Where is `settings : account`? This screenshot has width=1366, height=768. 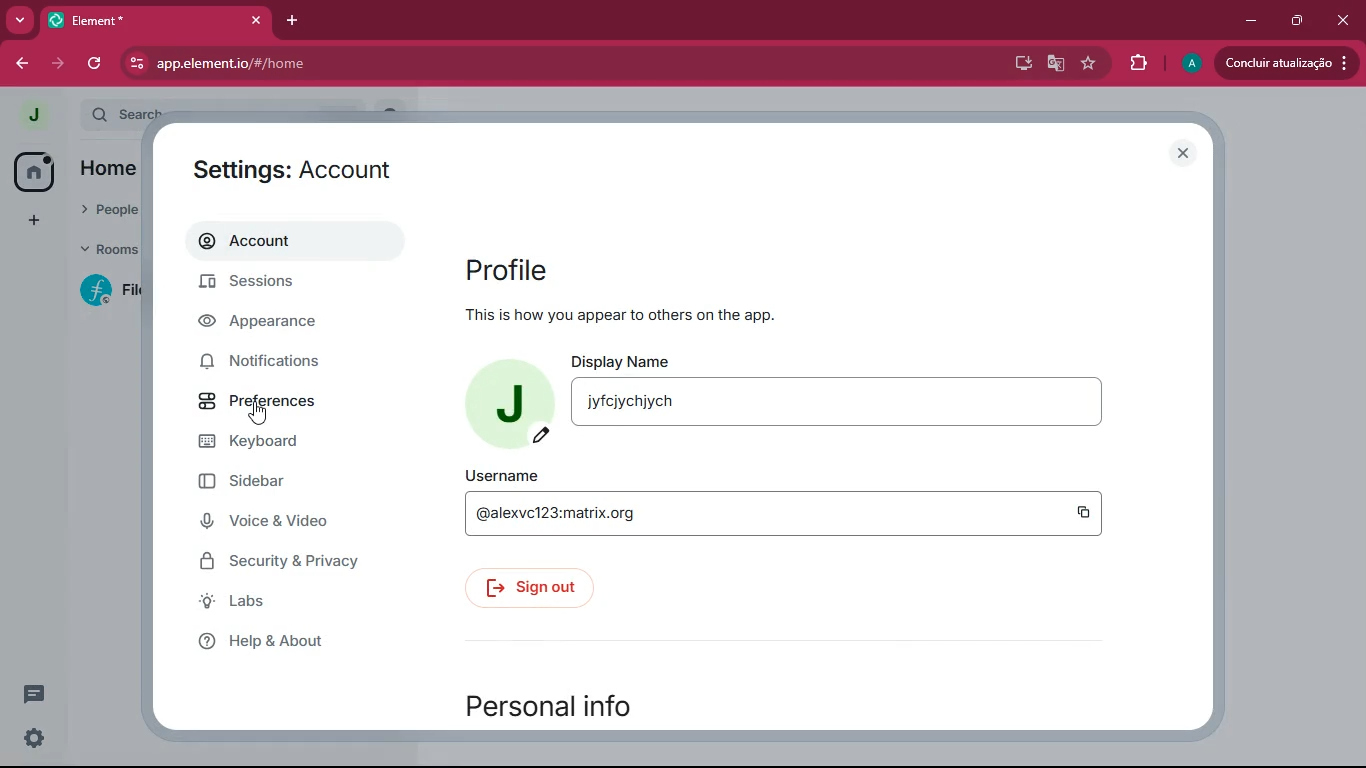 settings : account is located at coordinates (323, 165).